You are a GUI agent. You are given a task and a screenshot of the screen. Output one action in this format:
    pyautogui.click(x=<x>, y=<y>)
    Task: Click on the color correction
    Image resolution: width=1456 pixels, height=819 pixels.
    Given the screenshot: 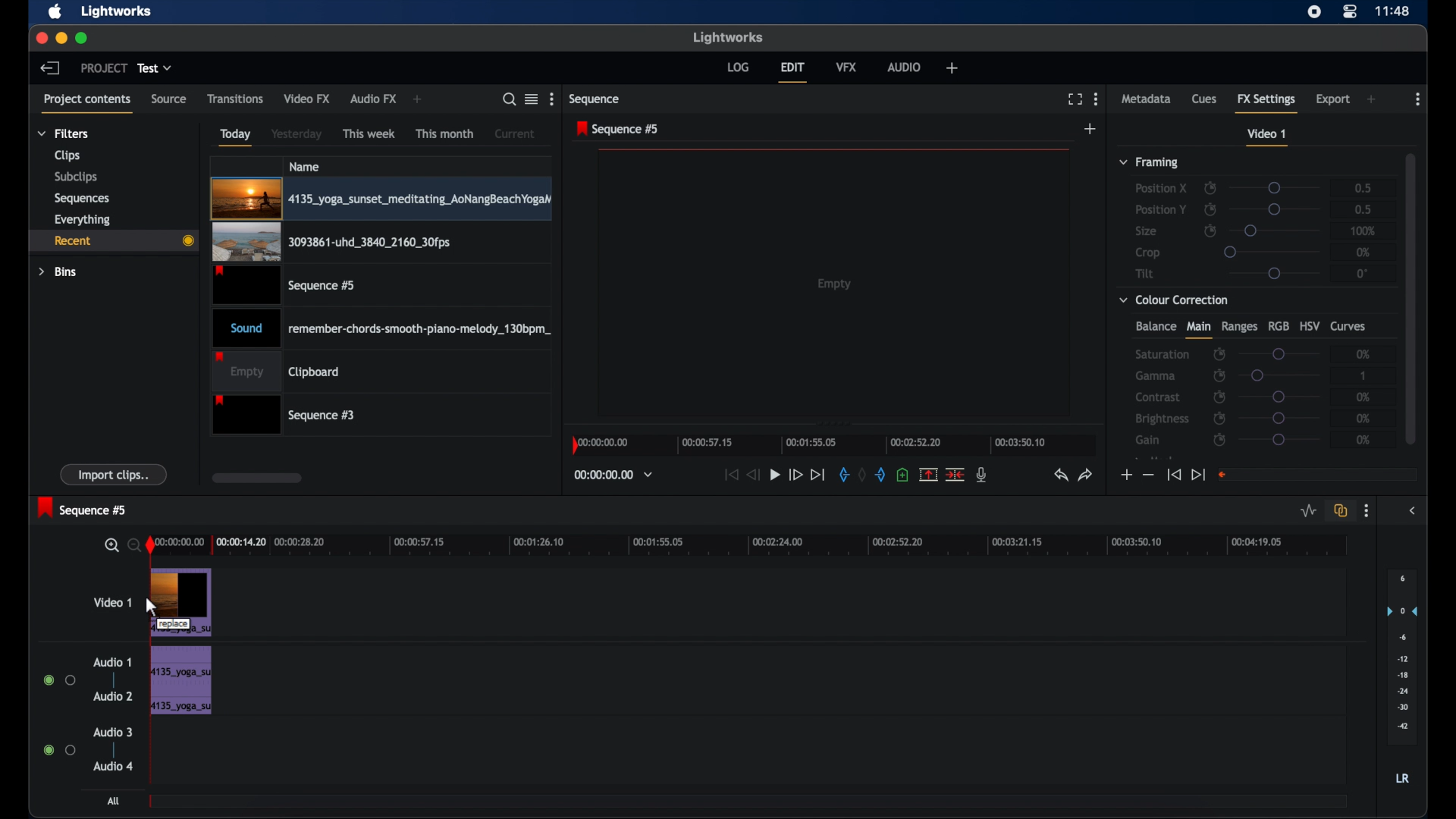 What is the action you would take?
    pyautogui.click(x=1175, y=299)
    